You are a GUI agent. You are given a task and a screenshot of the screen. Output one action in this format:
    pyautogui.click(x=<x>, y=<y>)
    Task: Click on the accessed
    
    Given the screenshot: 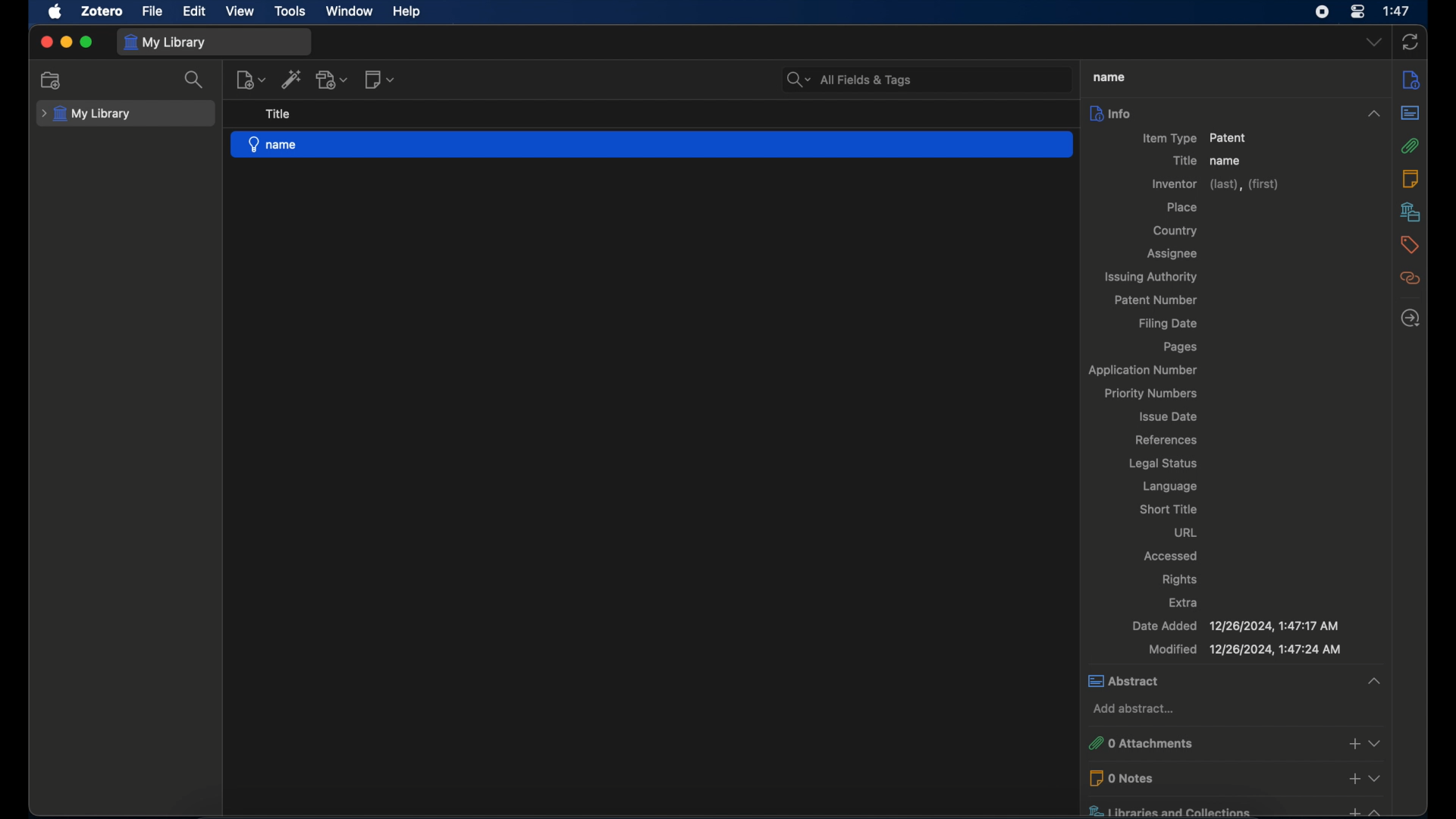 What is the action you would take?
    pyautogui.click(x=1173, y=556)
    